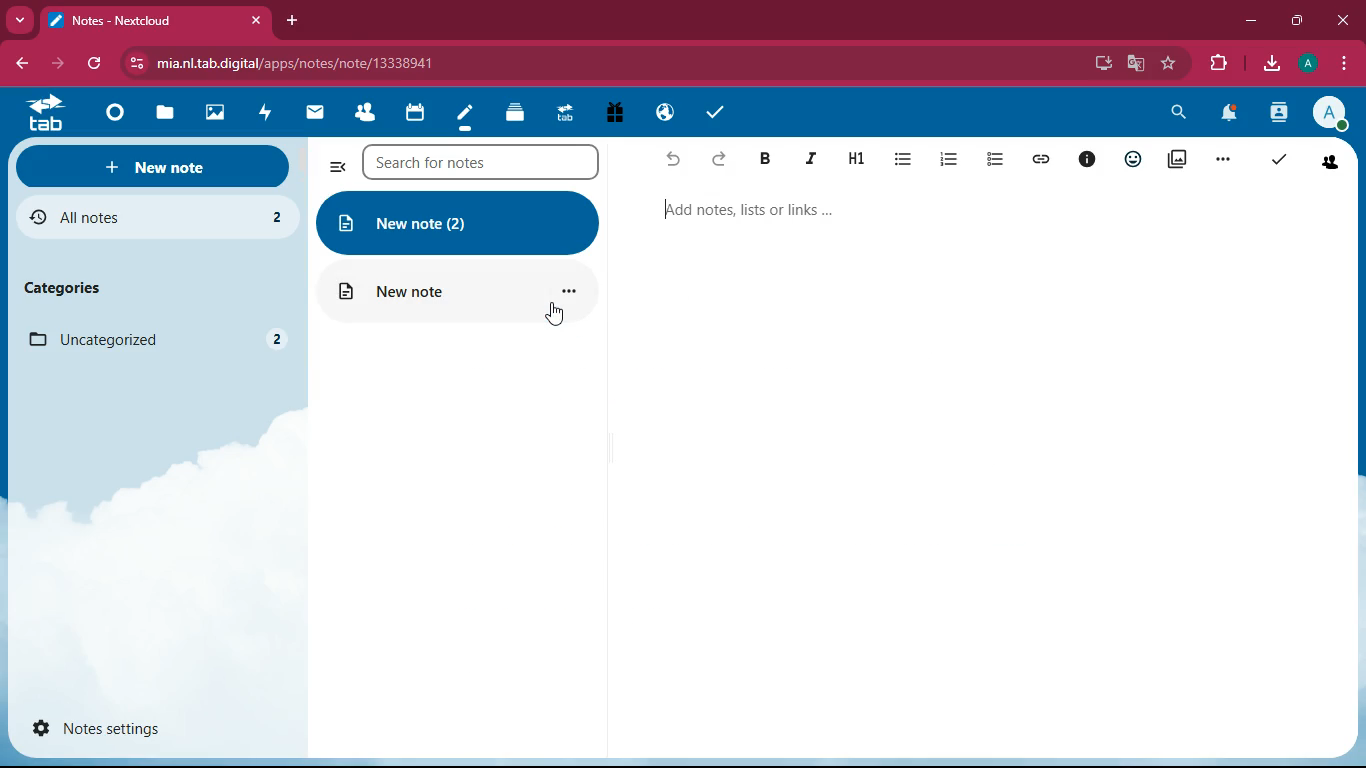 The image size is (1366, 768). Describe the element at coordinates (769, 160) in the screenshot. I see `dark` at that location.